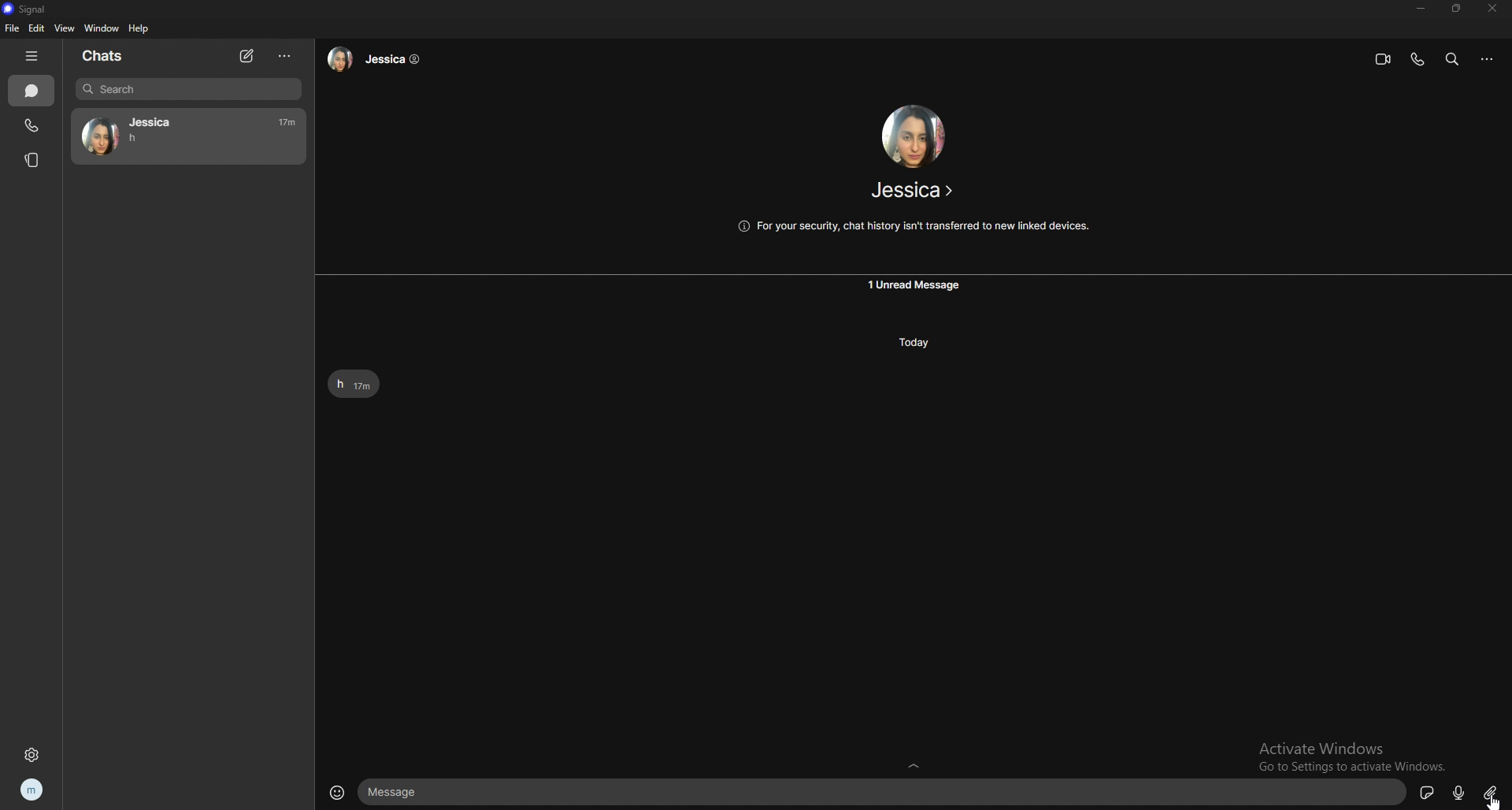  Describe the element at coordinates (101, 137) in the screenshot. I see `avatar` at that location.